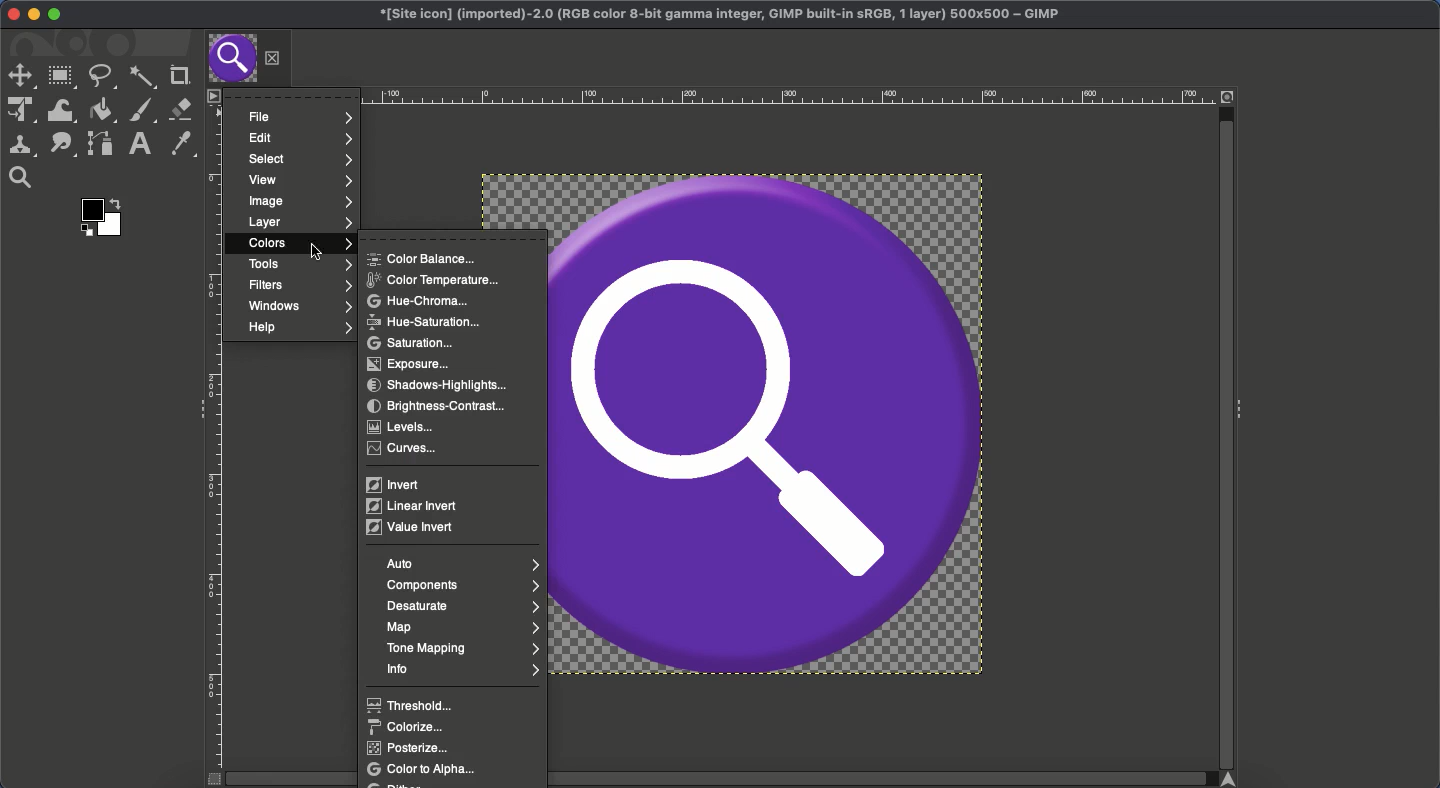  I want to click on Threshold, so click(416, 705).